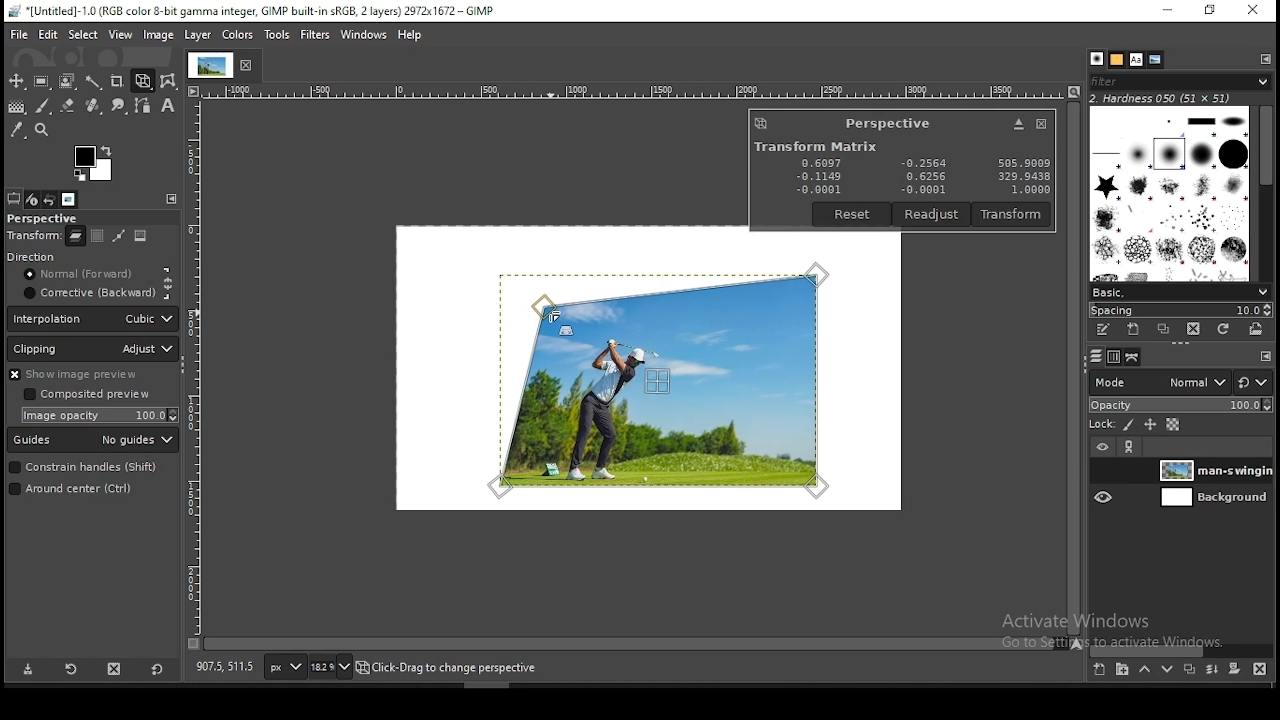 The image size is (1280, 720). What do you see at coordinates (93, 319) in the screenshot?
I see `interpolation` at bounding box center [93, 319].